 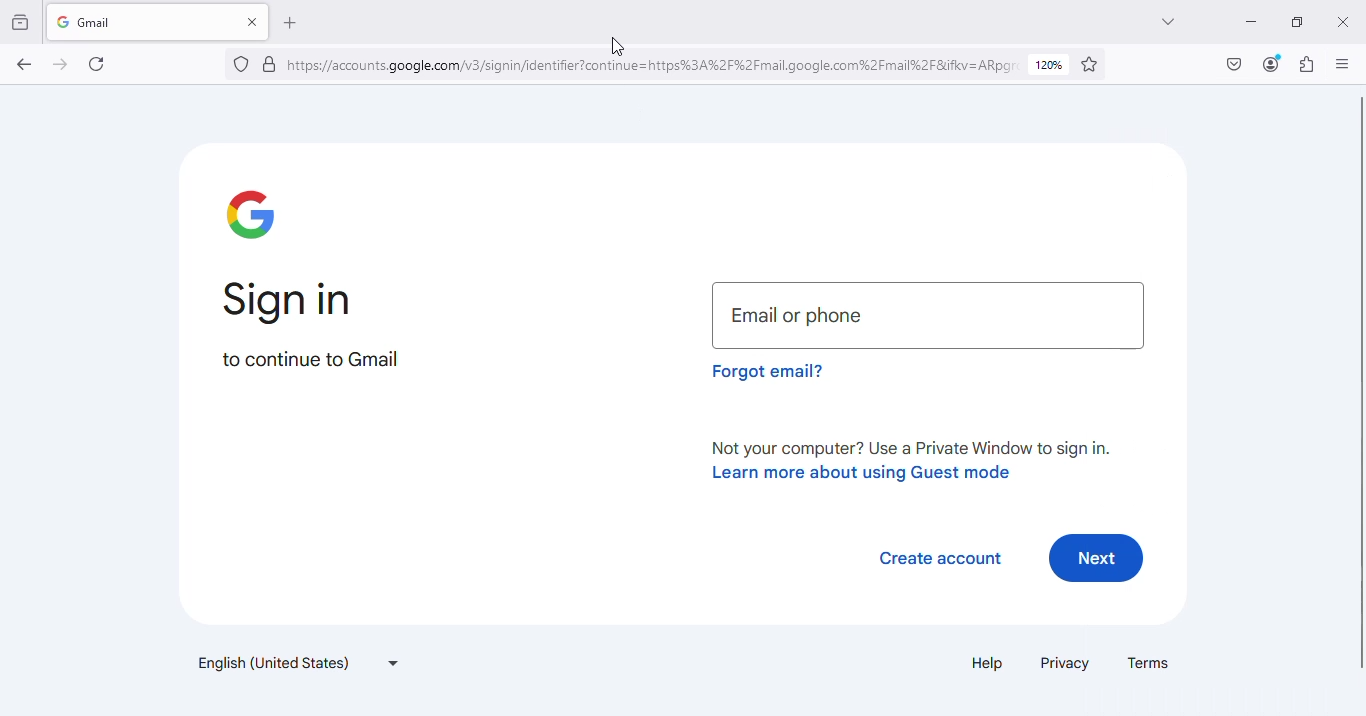 What do you see at coordinates (295, 662) in the screenshot?
I see `text language` at bounding box center [295, 662].